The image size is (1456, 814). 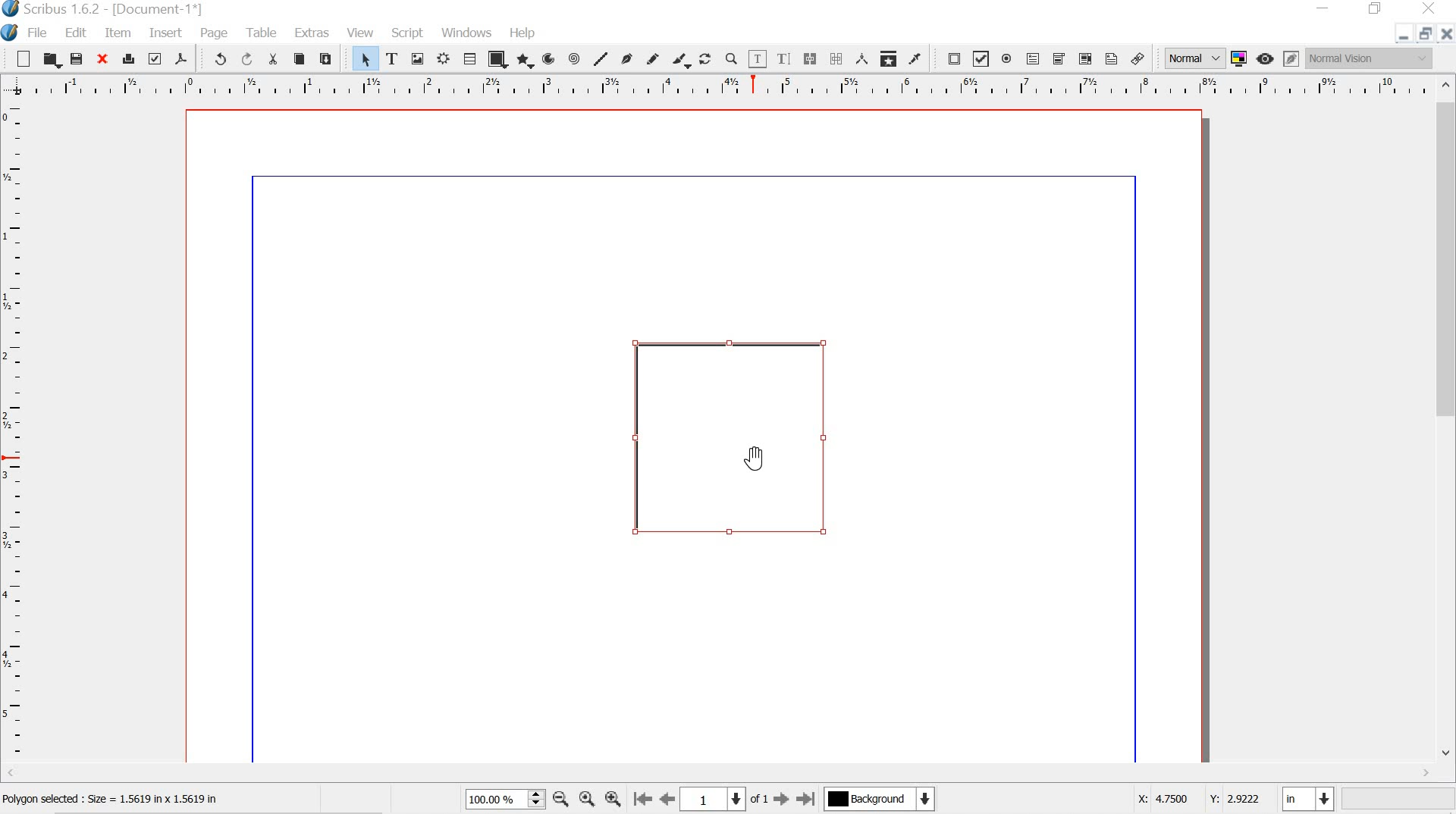 What do you see at coordinates (560, 798) in the screenshot?
I see `zoom out` at bounding box center [560, 798].